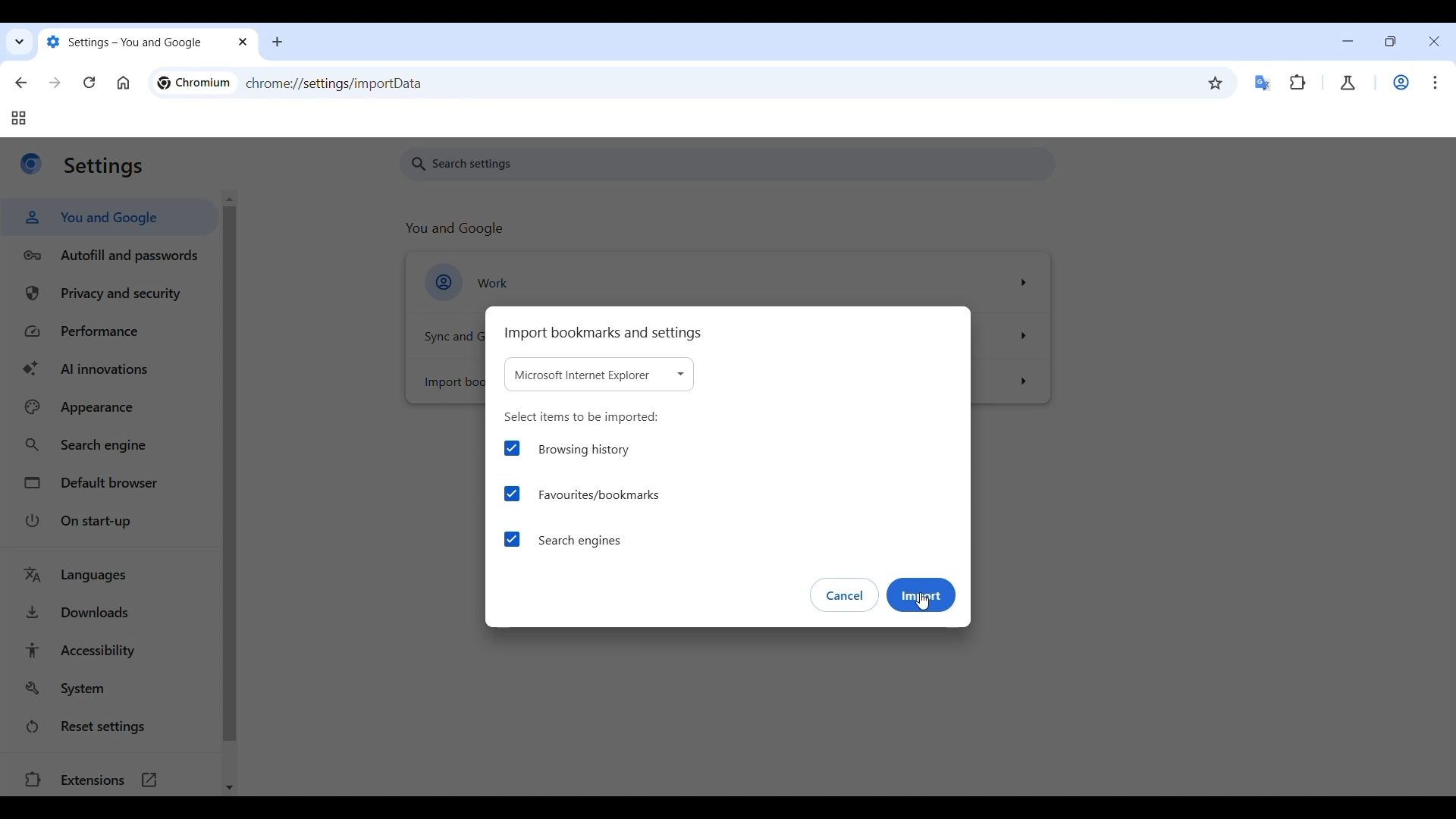 The image size is (1456, 819). What do you see at coordinates (112, 331) in the screenshot?
I see `Performance` at bounding box center [112, 331].